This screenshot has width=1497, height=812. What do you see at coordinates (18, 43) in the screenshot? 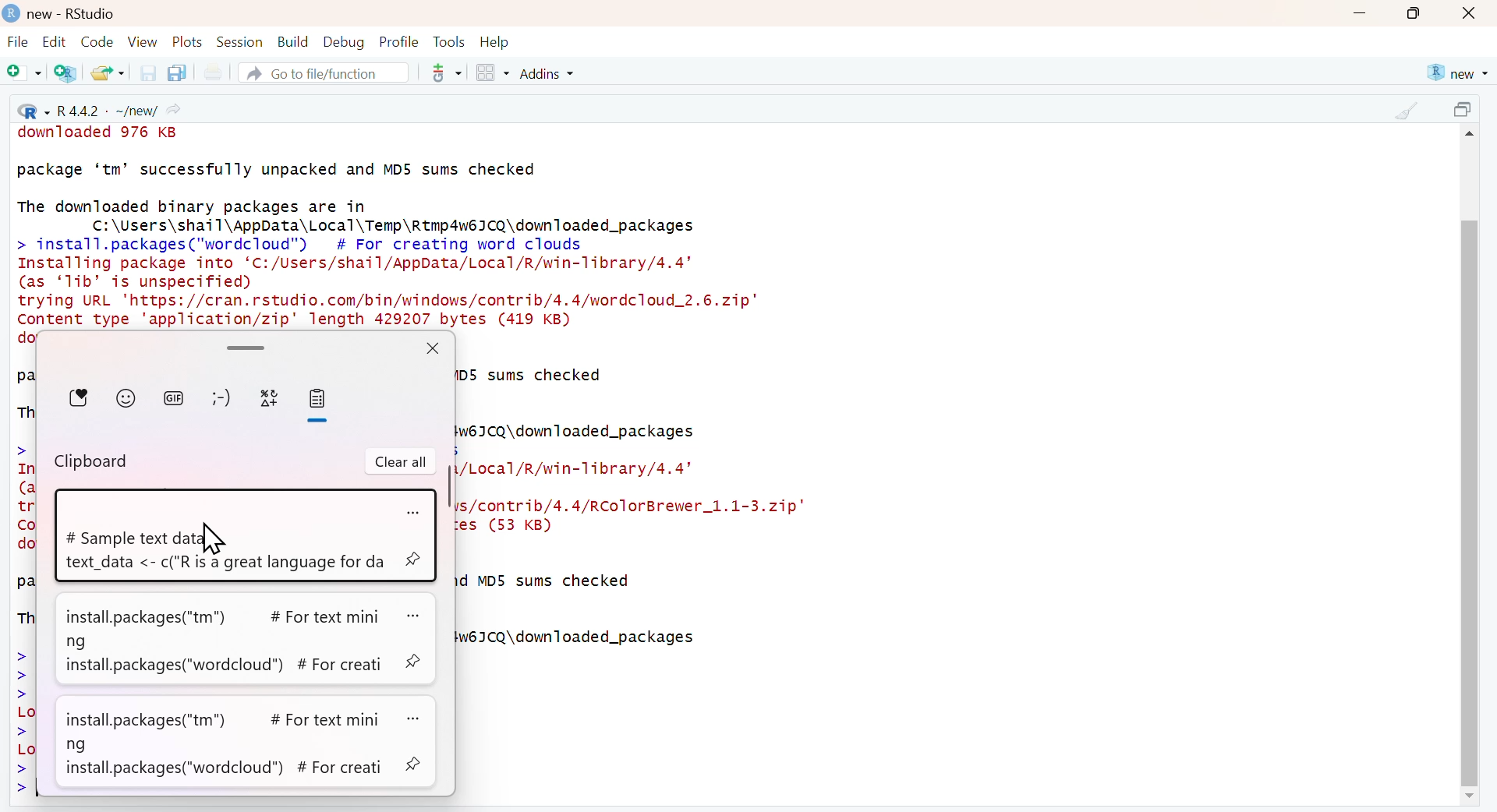
I see `File` at bounding box center [18, 43].